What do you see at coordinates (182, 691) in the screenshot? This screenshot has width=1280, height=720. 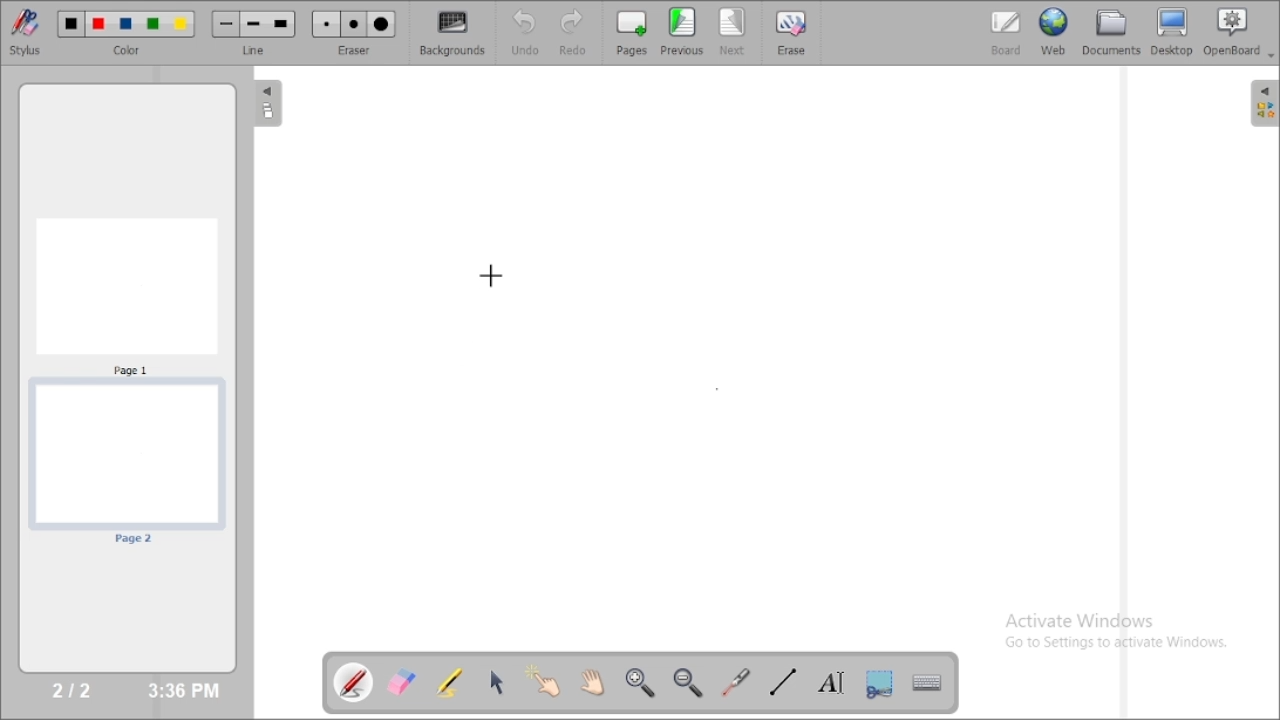 I see `3:36 PM` at bounding box center [182, 691].